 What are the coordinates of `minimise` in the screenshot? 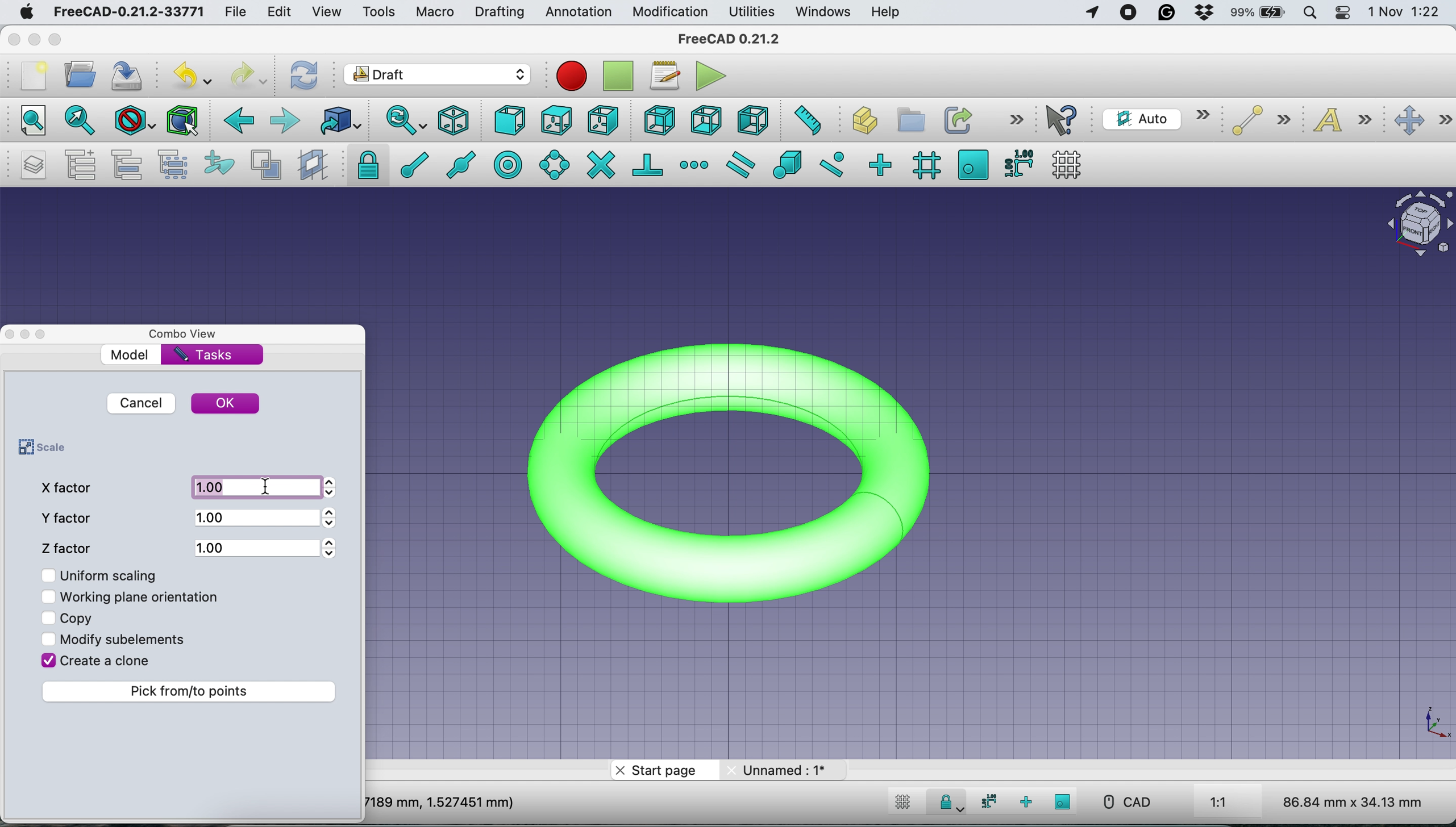 It's located at (34, 36).